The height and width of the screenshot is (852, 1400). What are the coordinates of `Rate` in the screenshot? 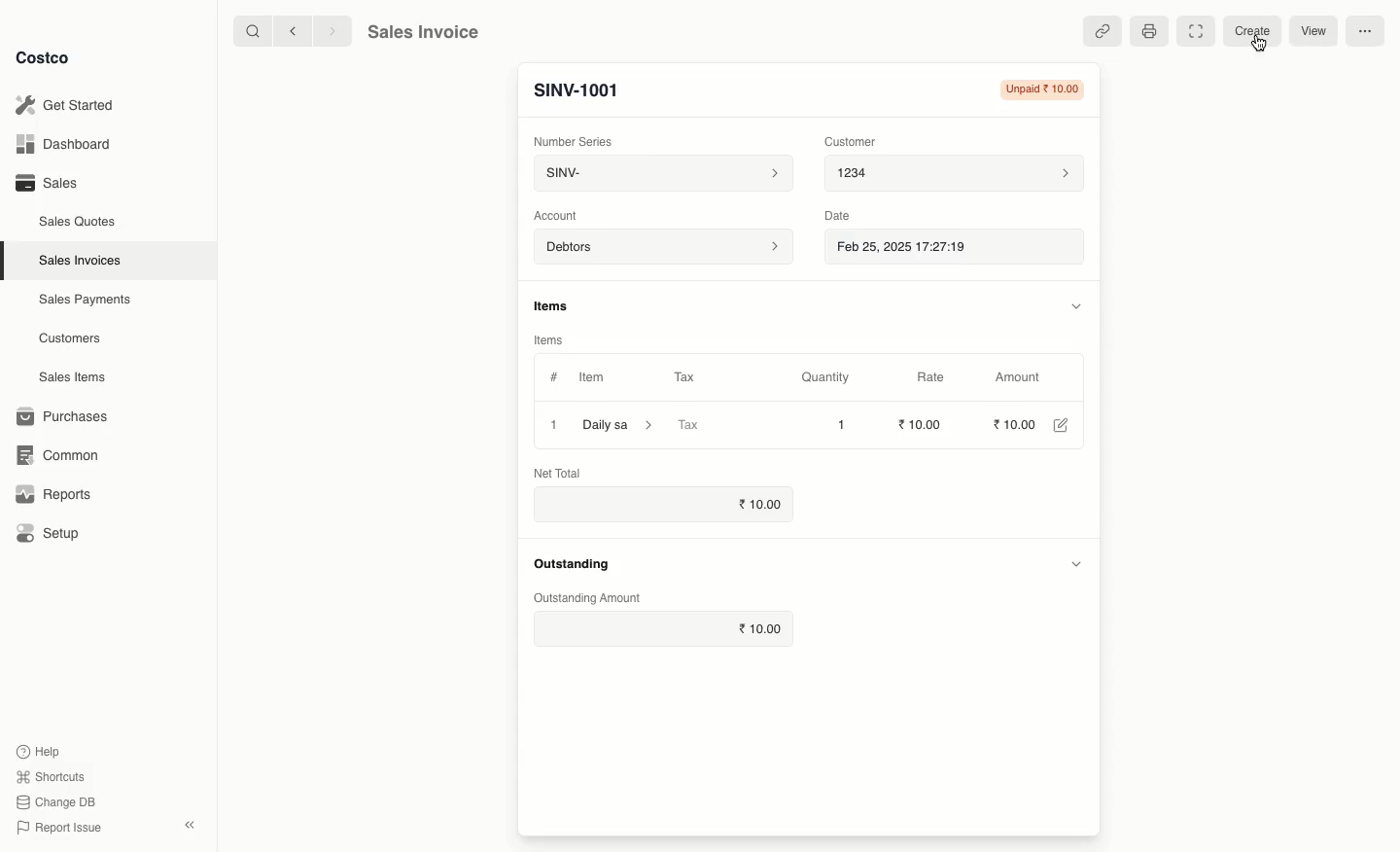 It's located at (936, 376).